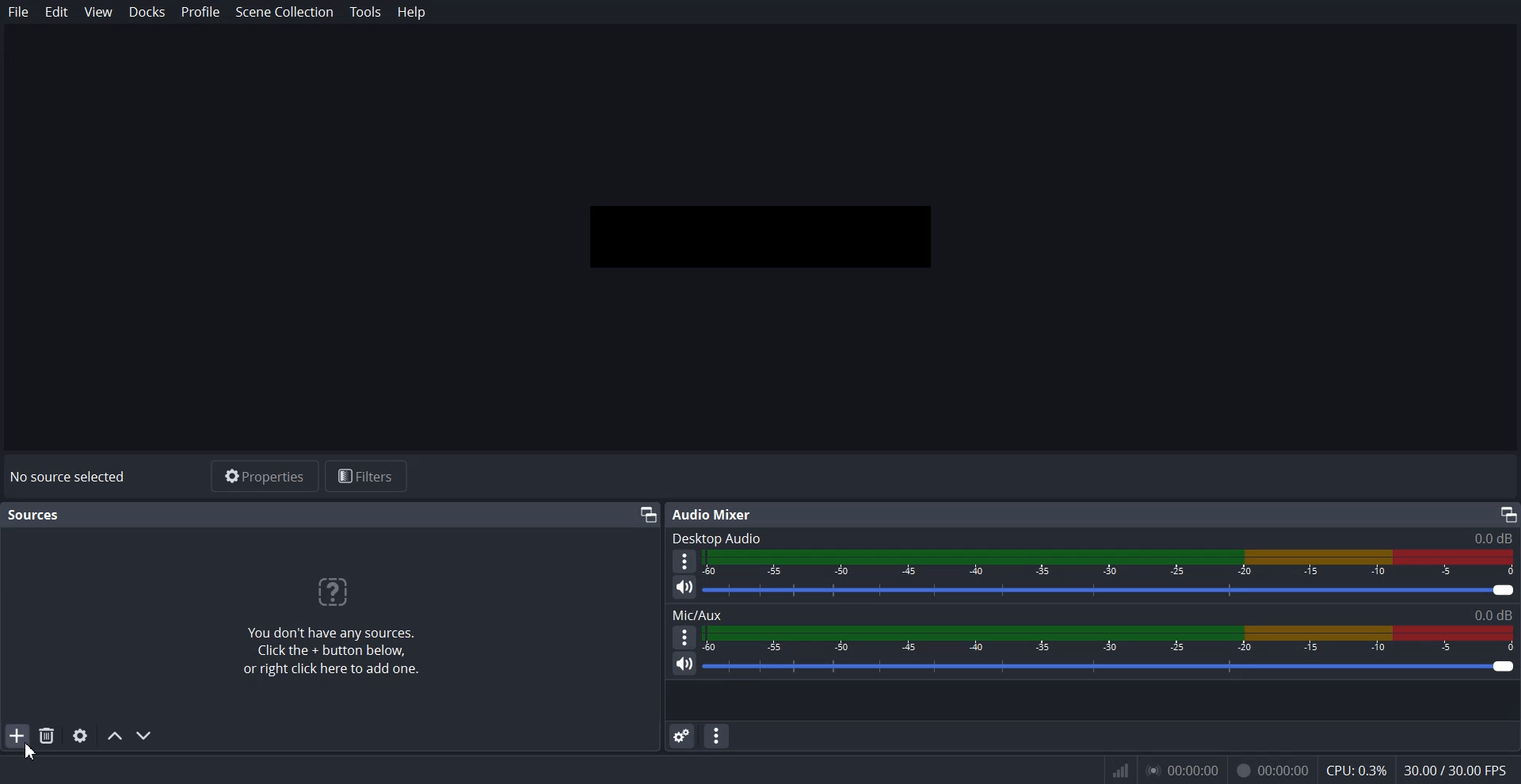 Image resolution: width=1521 pixels, height=784 pixels. I want to click on Mute, so click(684, 587).